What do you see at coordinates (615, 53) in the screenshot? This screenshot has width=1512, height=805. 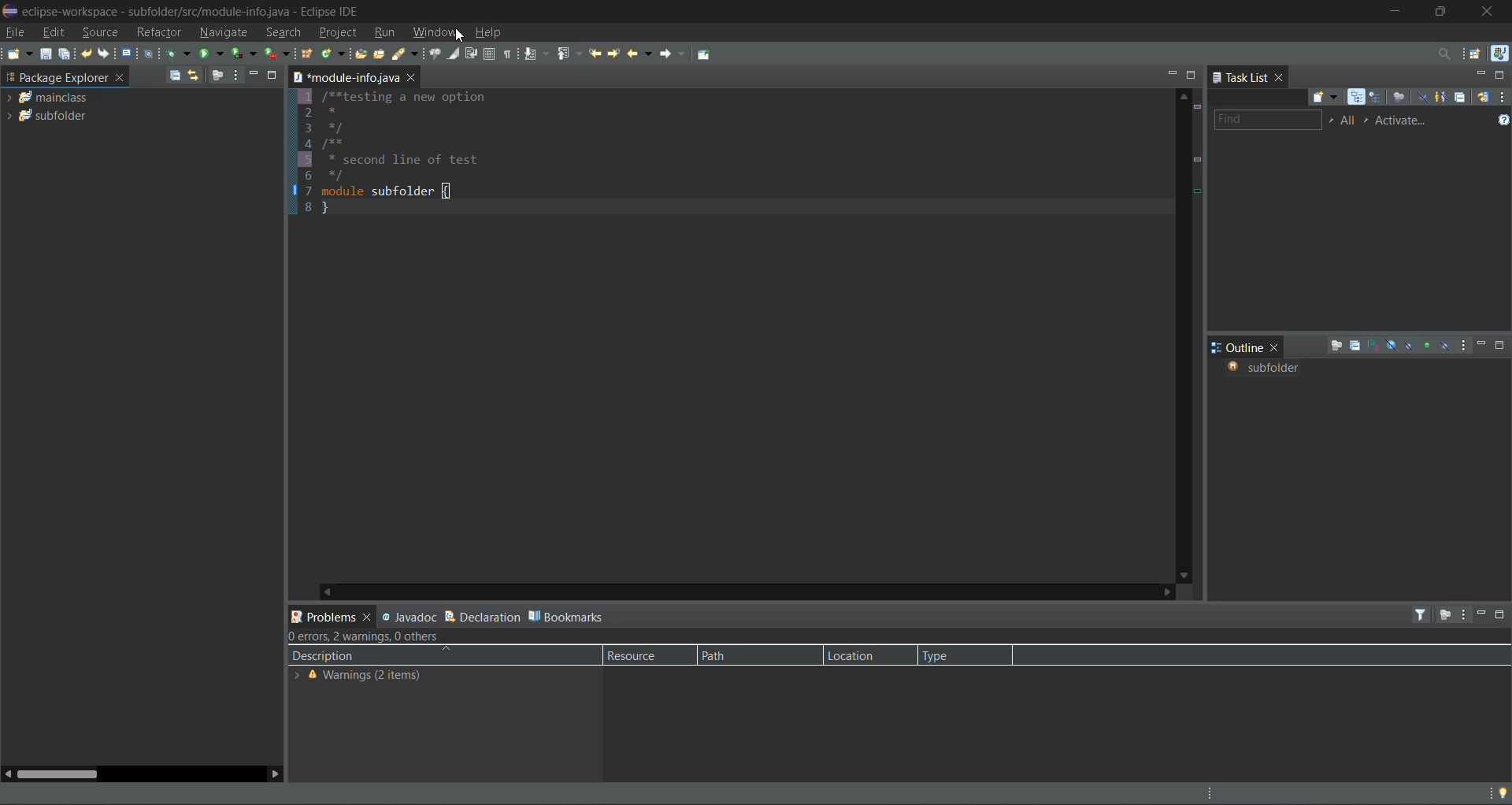 I see `next edit location` at bounding box center [615, 53].